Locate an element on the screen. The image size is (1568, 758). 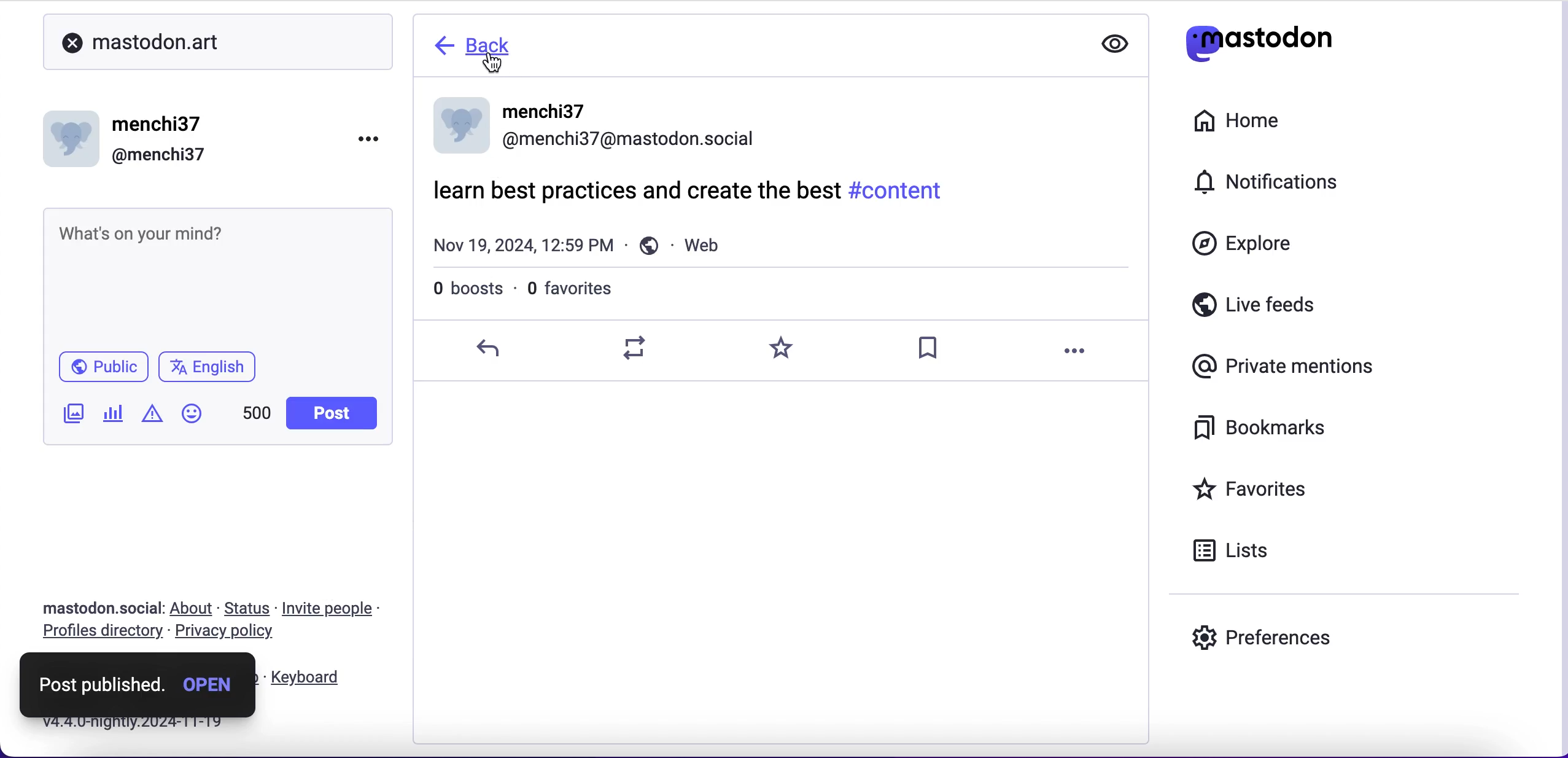
post published is located at coordinates (102, 682).